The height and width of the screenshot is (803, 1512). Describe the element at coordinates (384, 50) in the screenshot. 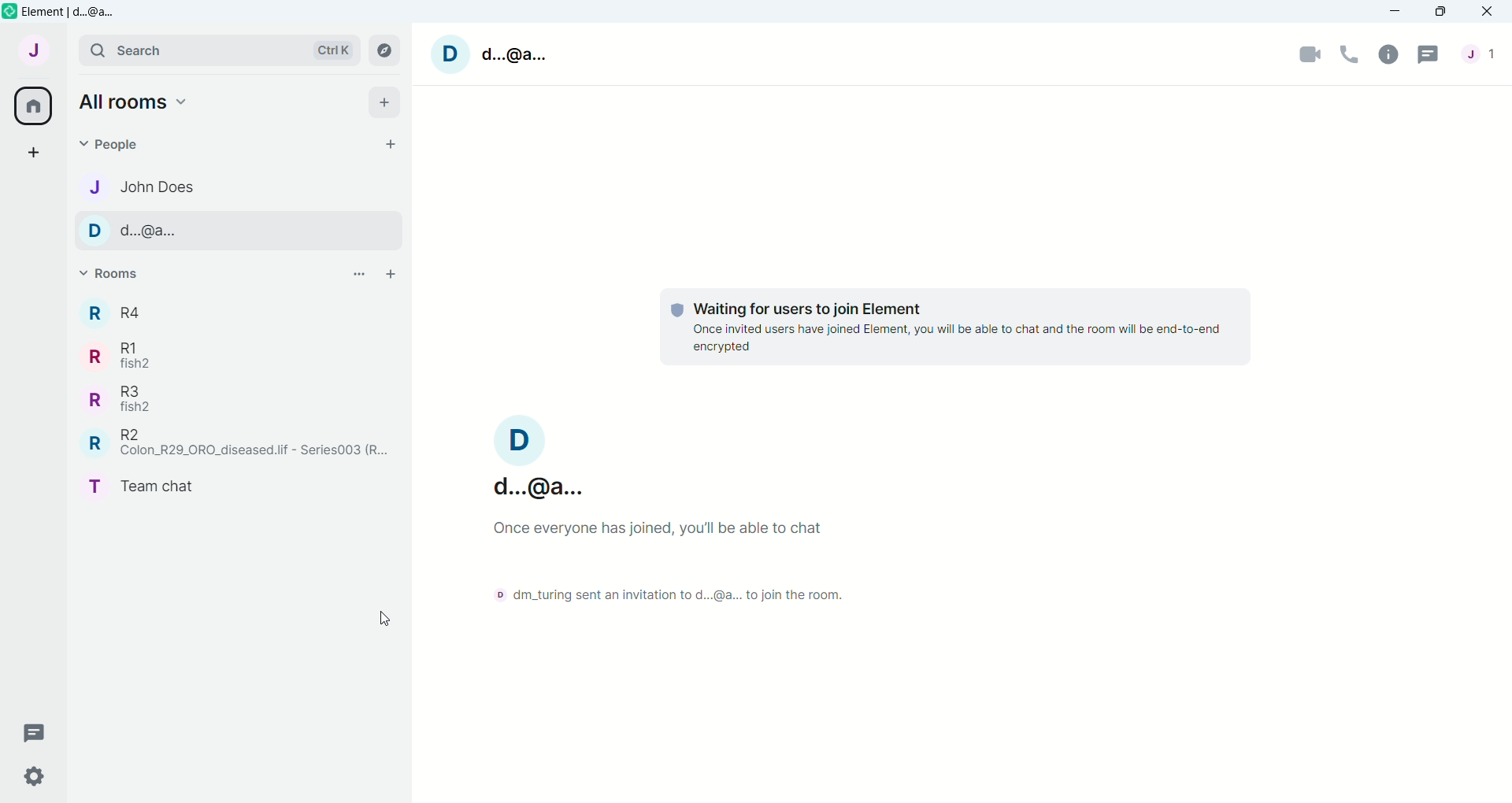

I see `explore rooms` at that location.